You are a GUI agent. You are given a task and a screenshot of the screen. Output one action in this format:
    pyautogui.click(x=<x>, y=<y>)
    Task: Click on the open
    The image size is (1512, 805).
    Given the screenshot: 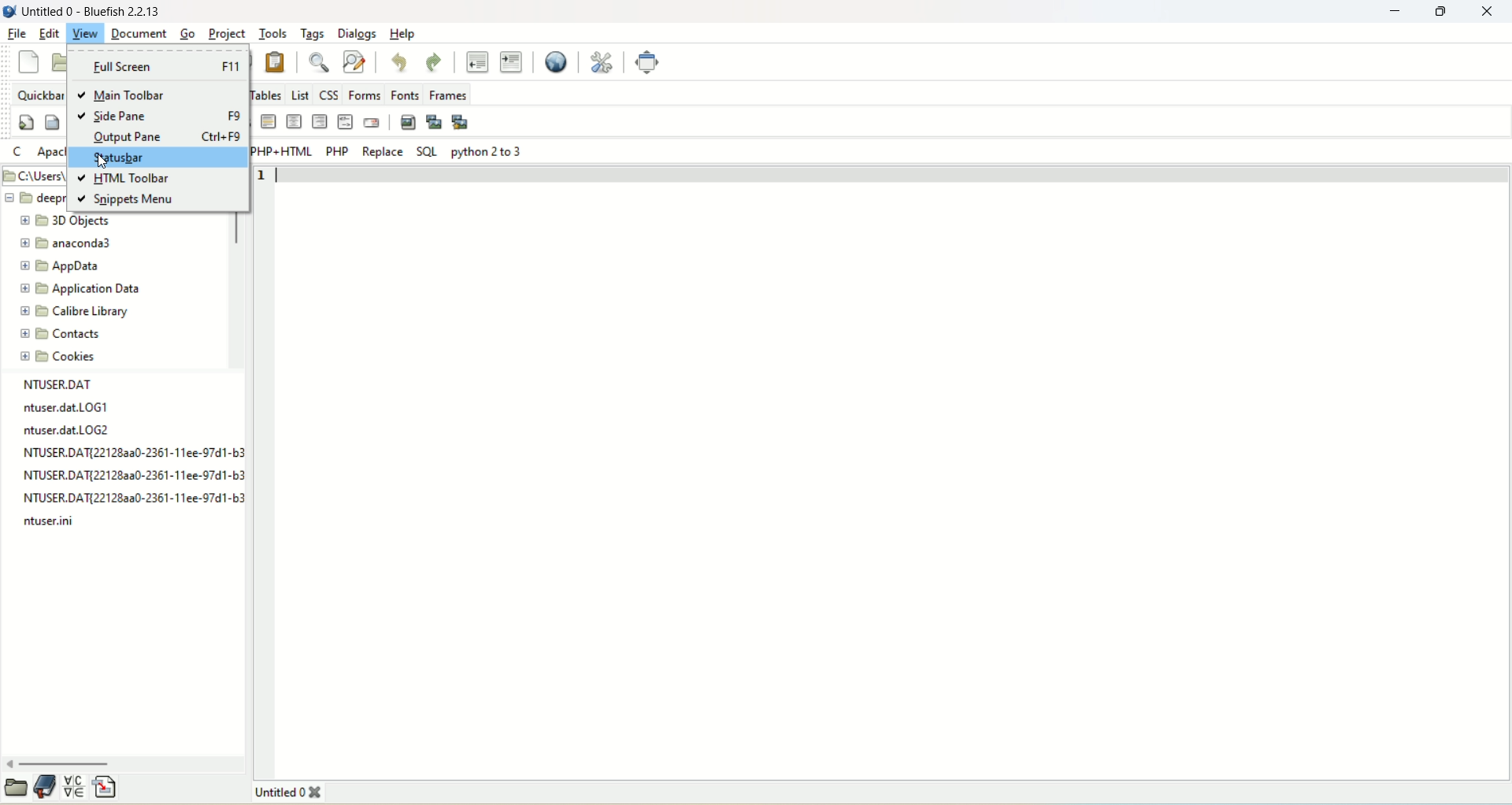 What is the action you would take?
    pyautogui.click(x=57, y=64)
    